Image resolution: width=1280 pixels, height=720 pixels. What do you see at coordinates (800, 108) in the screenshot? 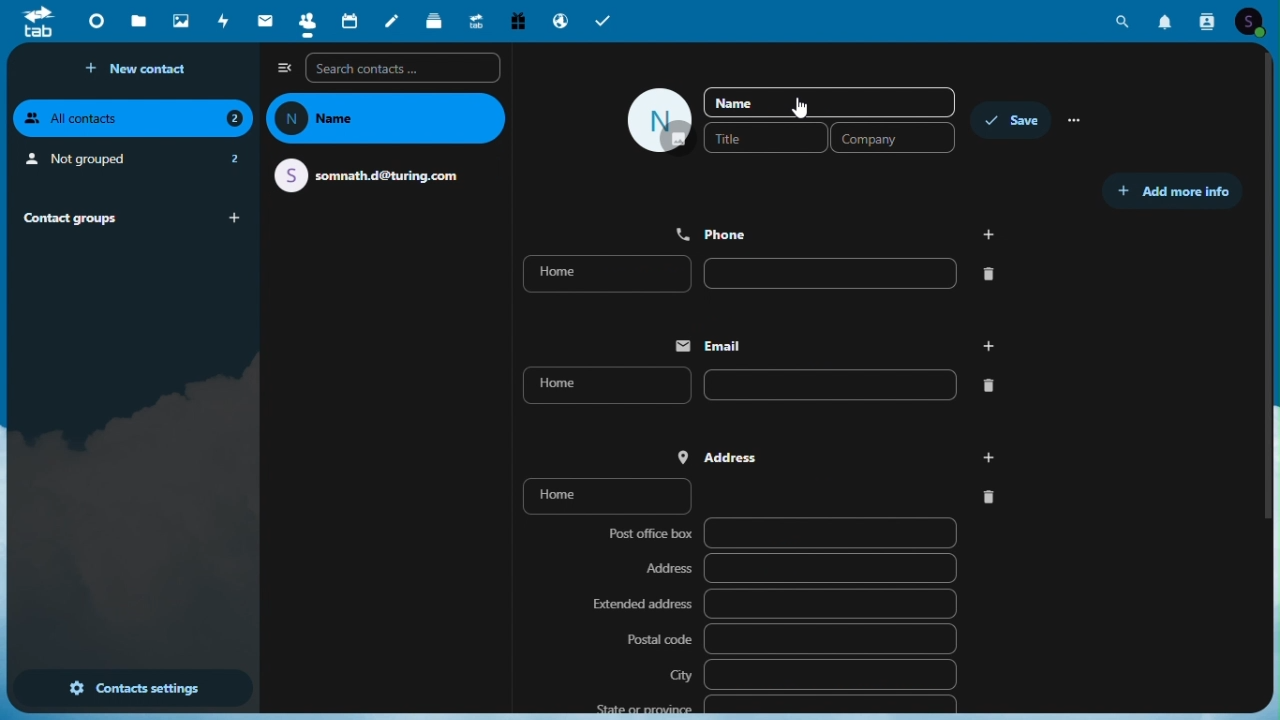
I see `cursor` at bounding box center [800, 108].